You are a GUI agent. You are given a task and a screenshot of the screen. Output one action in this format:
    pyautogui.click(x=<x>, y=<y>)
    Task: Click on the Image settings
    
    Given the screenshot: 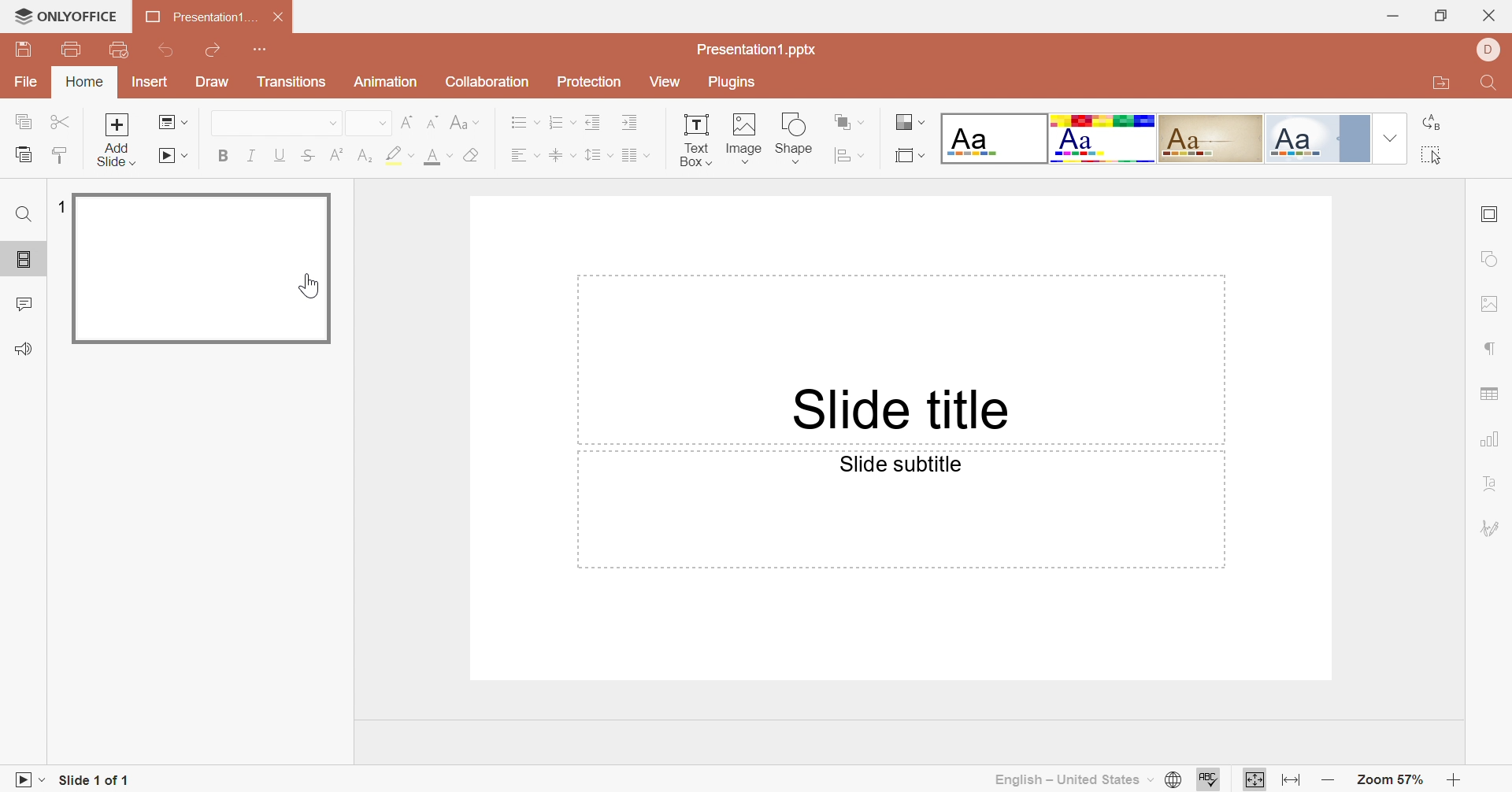 What is the action you would take?
    pyautogui.click(x=1492, y=302)
    